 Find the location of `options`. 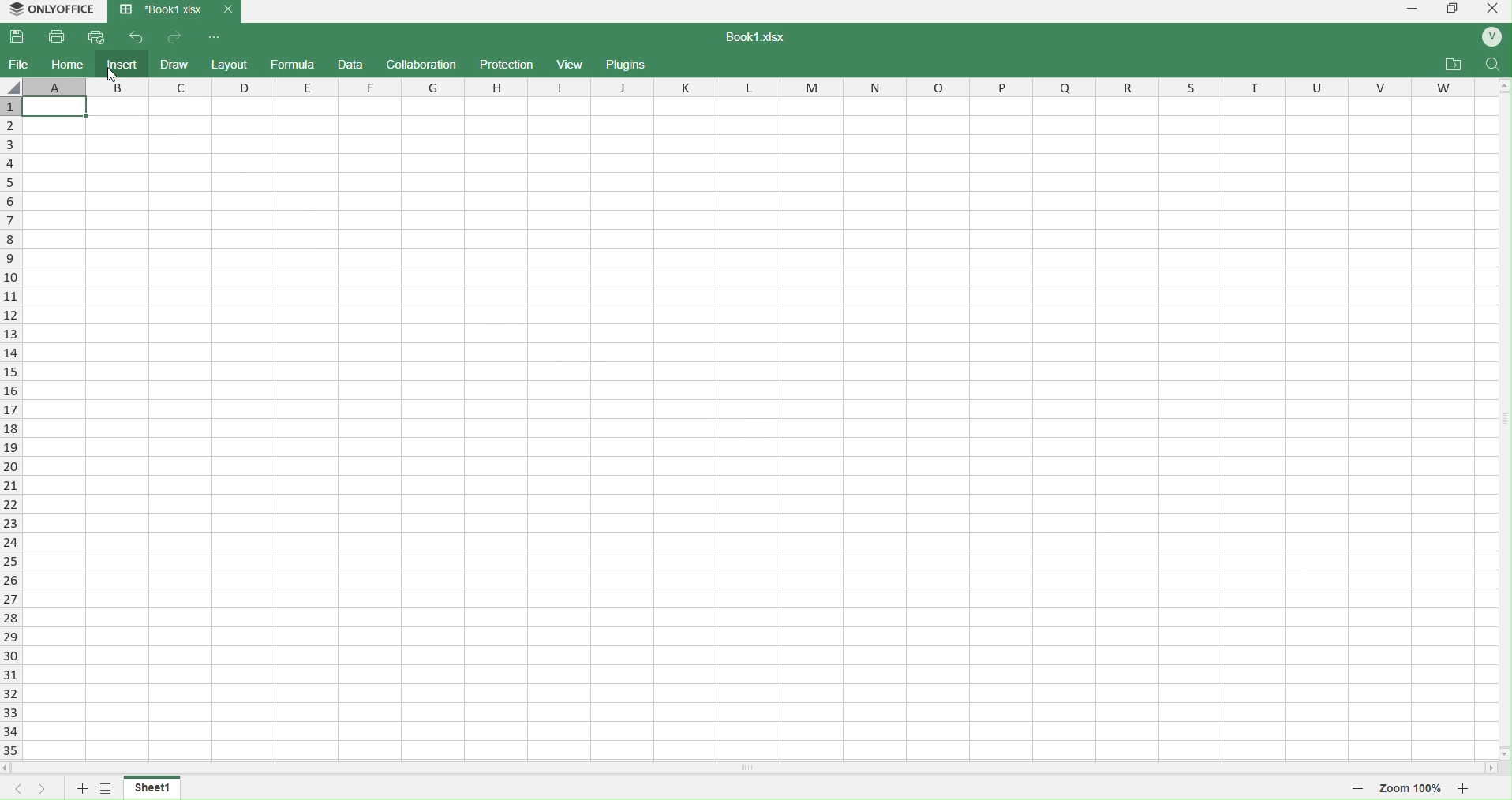

options is located at coordinates (216, 37).